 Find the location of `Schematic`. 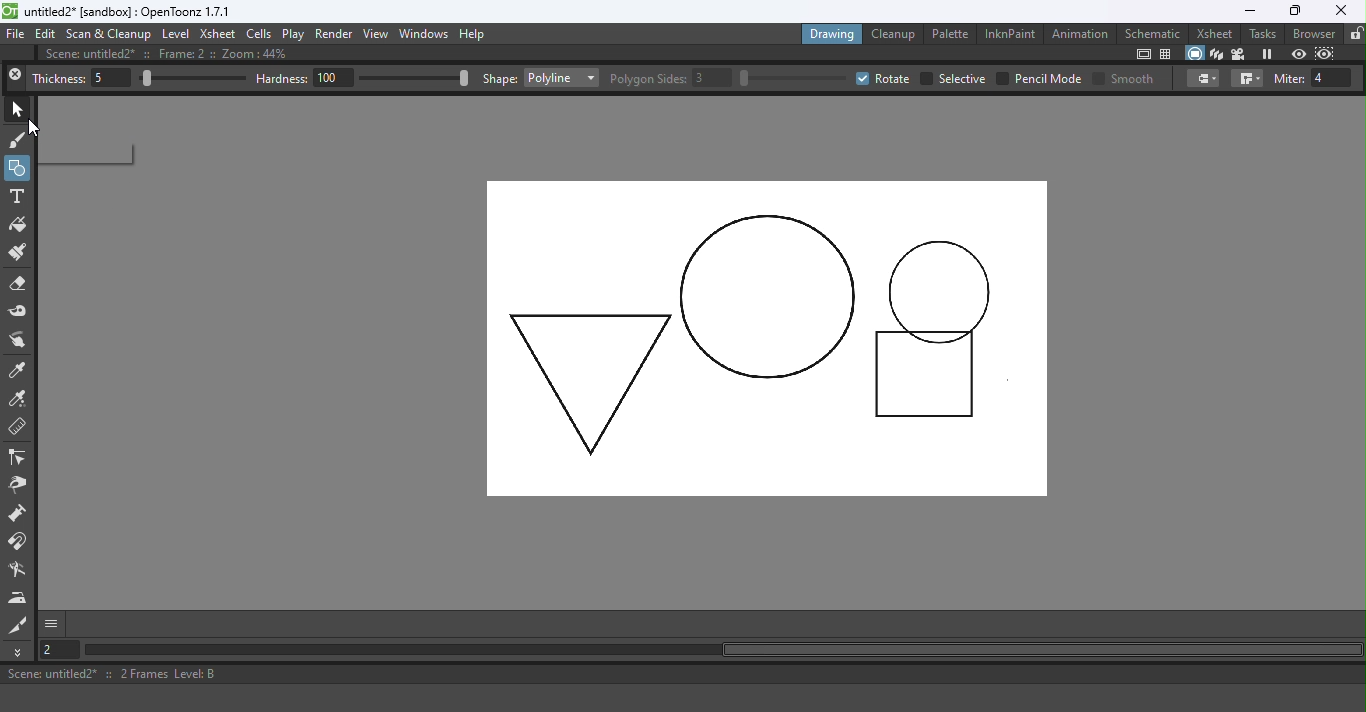

Schematic is located at coordinates (1154, 32).